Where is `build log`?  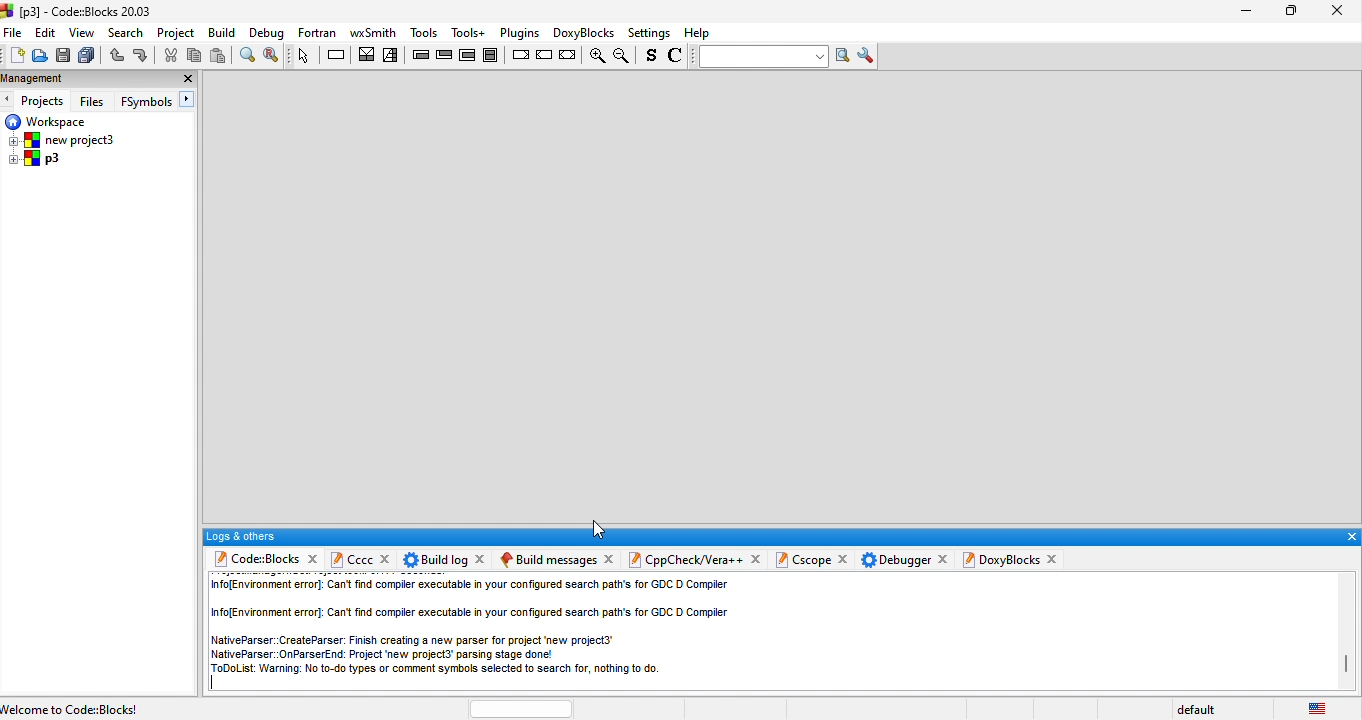
build log is located at coordinates (433, 559).